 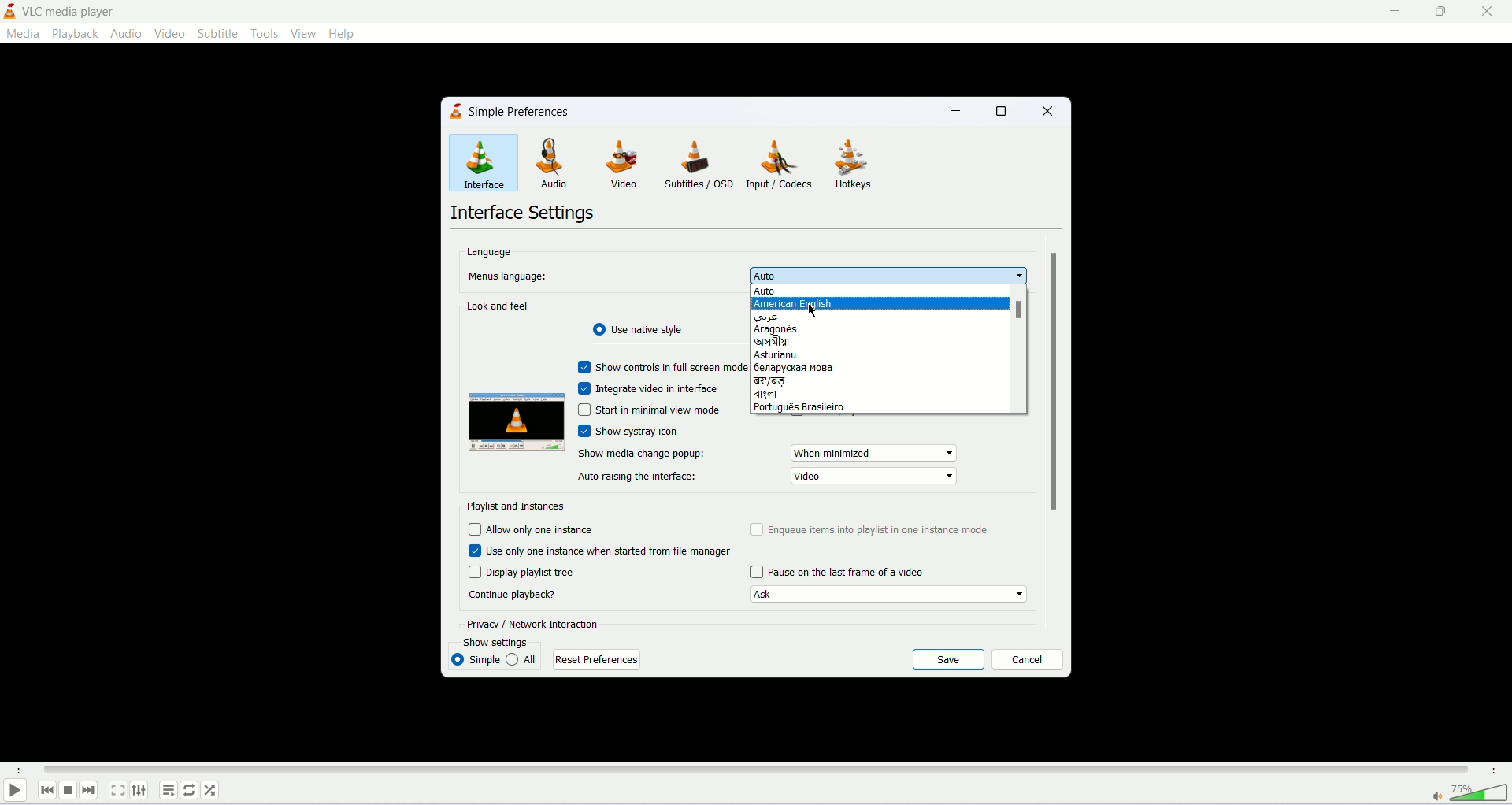 What do you see at coordinates (799, 317) in the screenshot?
I see `arabic` at bounding box center [799, 317].